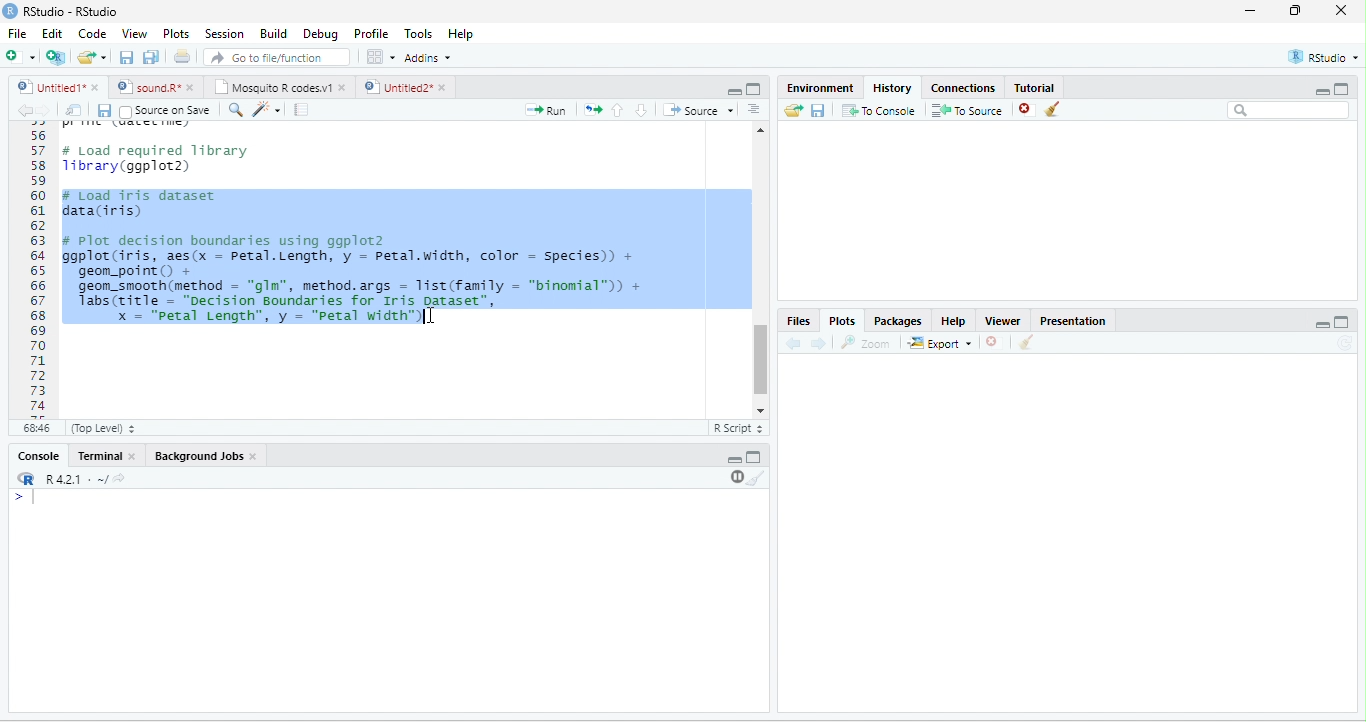  Describe the element at coordinates (431, 317) in the screenshot. I see `cursor` at that location.